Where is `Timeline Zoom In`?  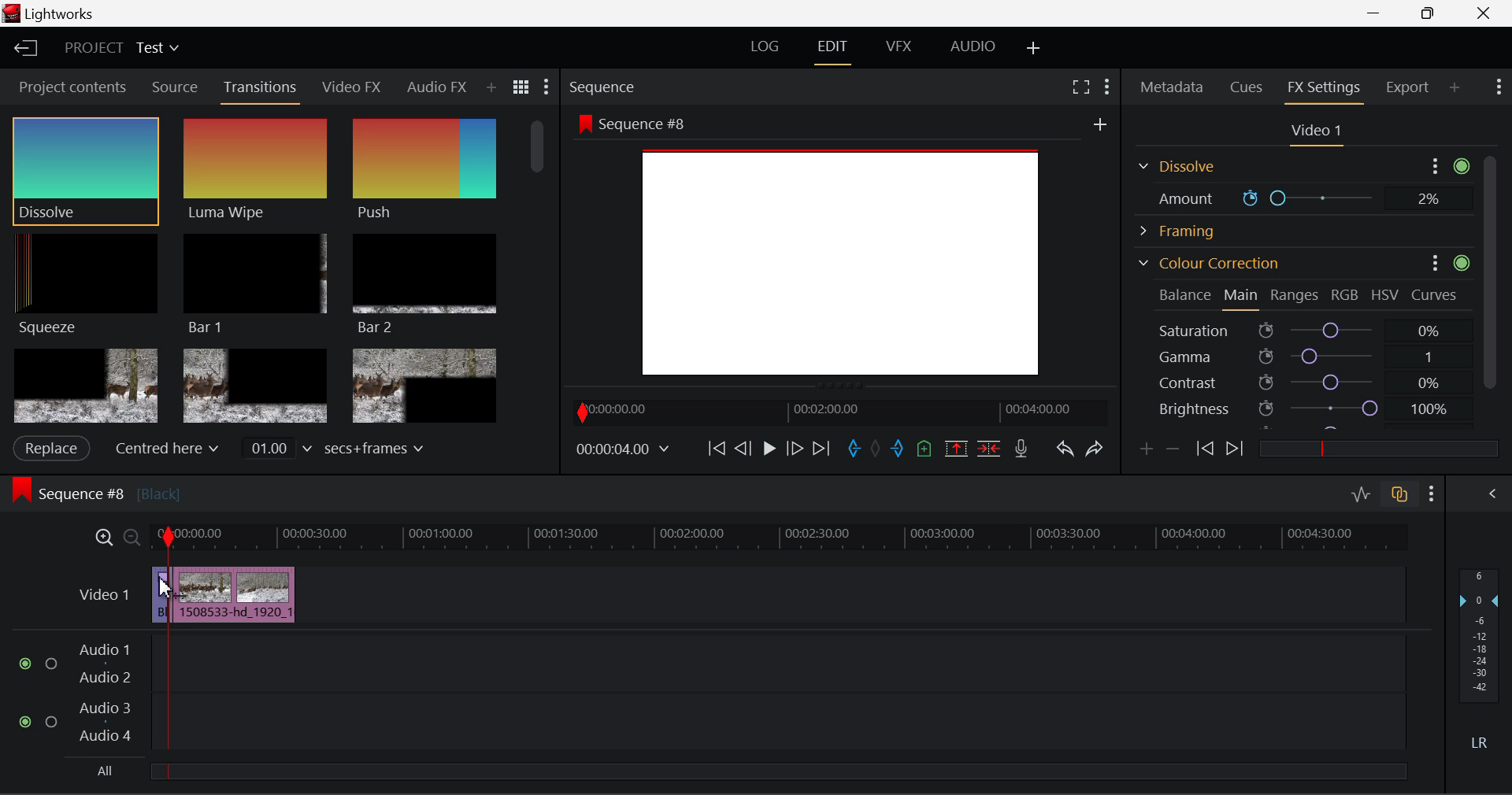
Timeline Zoom In is located at coordinates (101, 537).